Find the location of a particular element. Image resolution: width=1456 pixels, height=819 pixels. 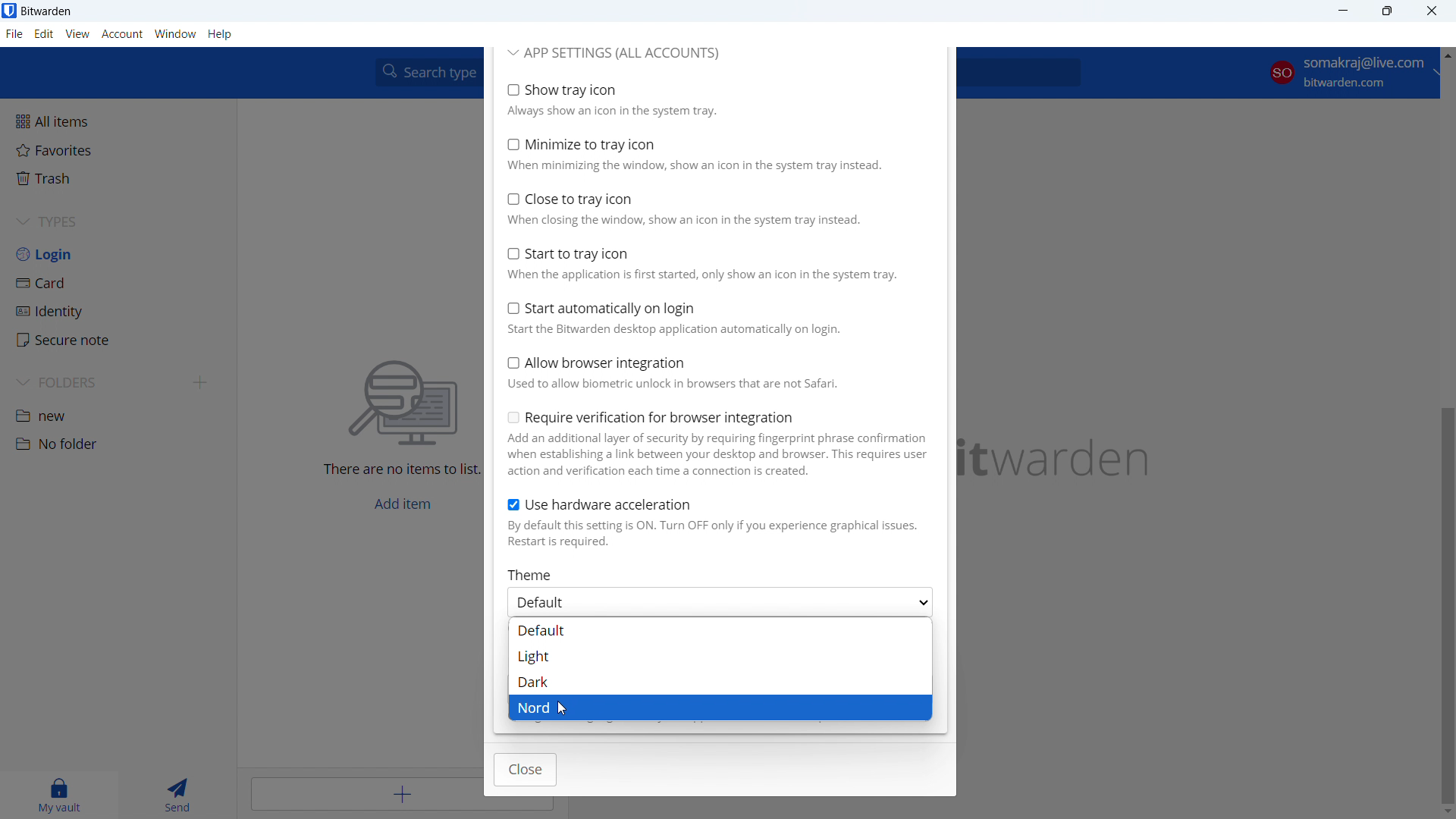

trash is located at coordinates (116, 178).